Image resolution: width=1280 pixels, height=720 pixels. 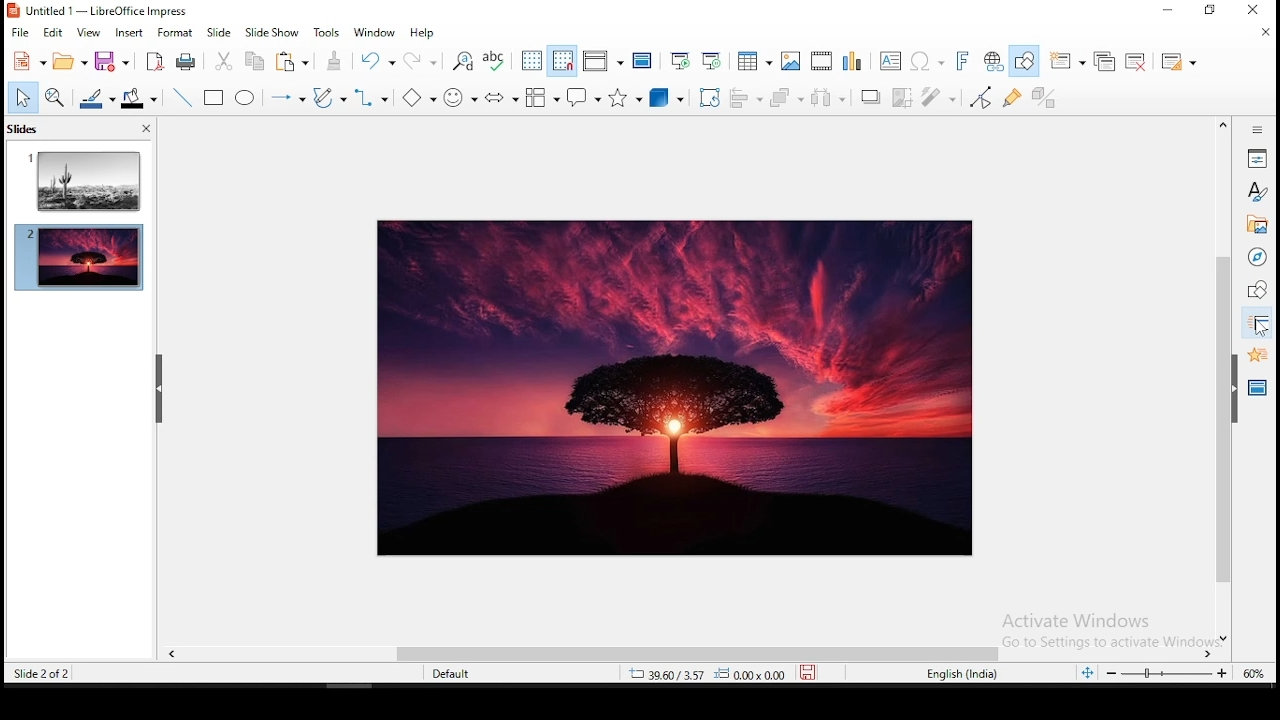 I want to click on file, so click(x=20, y=31).